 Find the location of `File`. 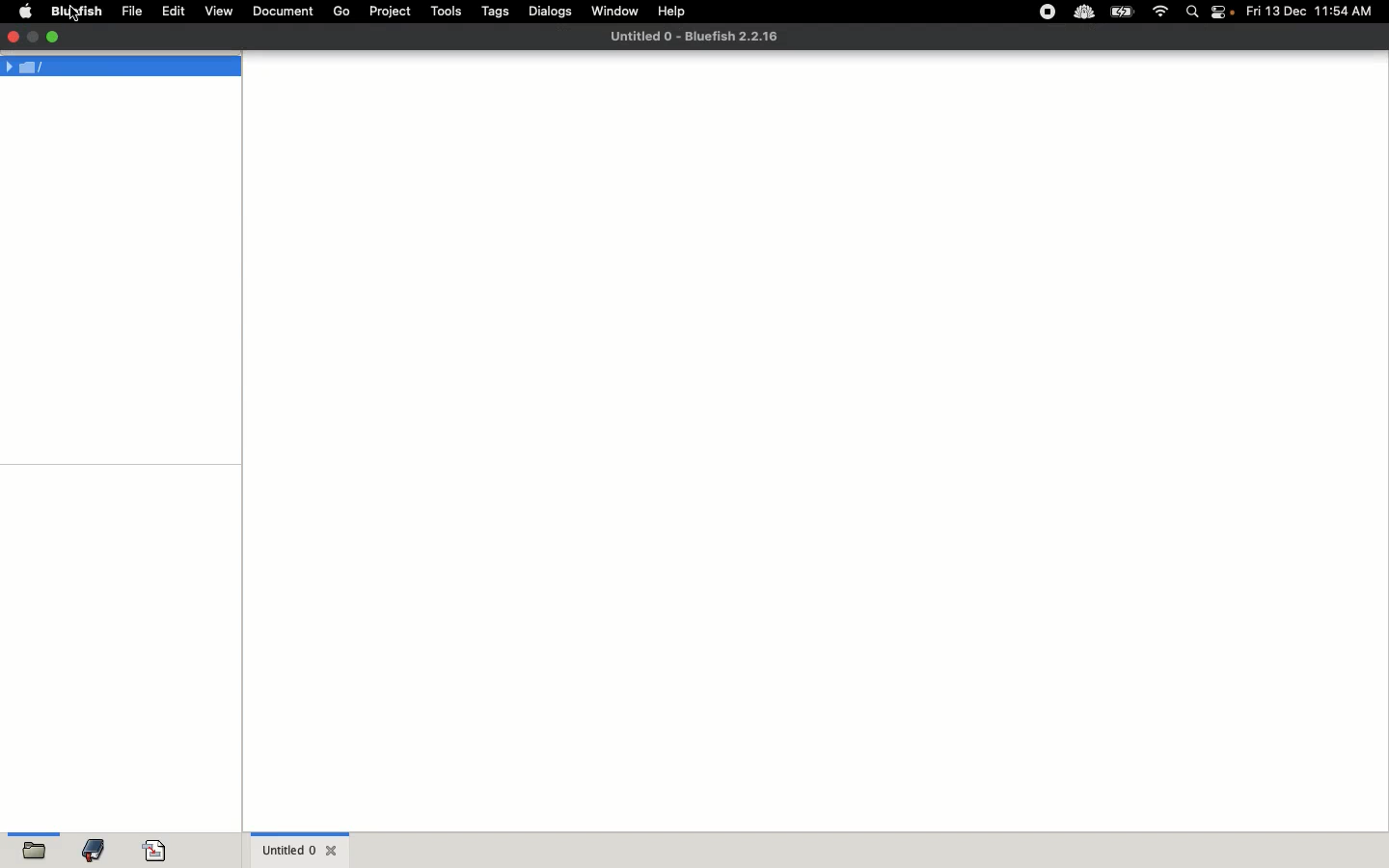

File is located at coordinates (132, 11).